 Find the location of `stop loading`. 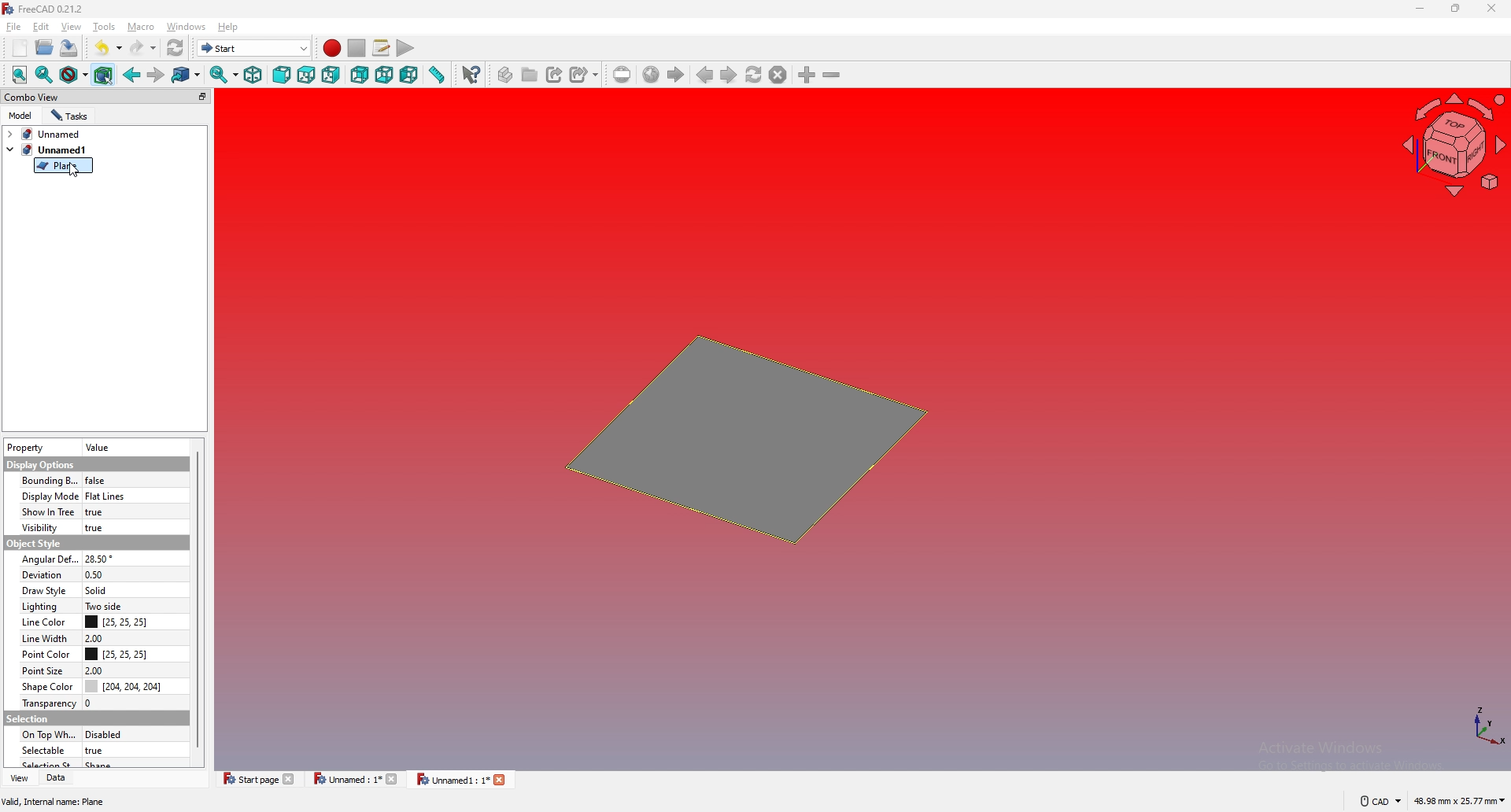

stop loading is located at coordinates (778, 75).